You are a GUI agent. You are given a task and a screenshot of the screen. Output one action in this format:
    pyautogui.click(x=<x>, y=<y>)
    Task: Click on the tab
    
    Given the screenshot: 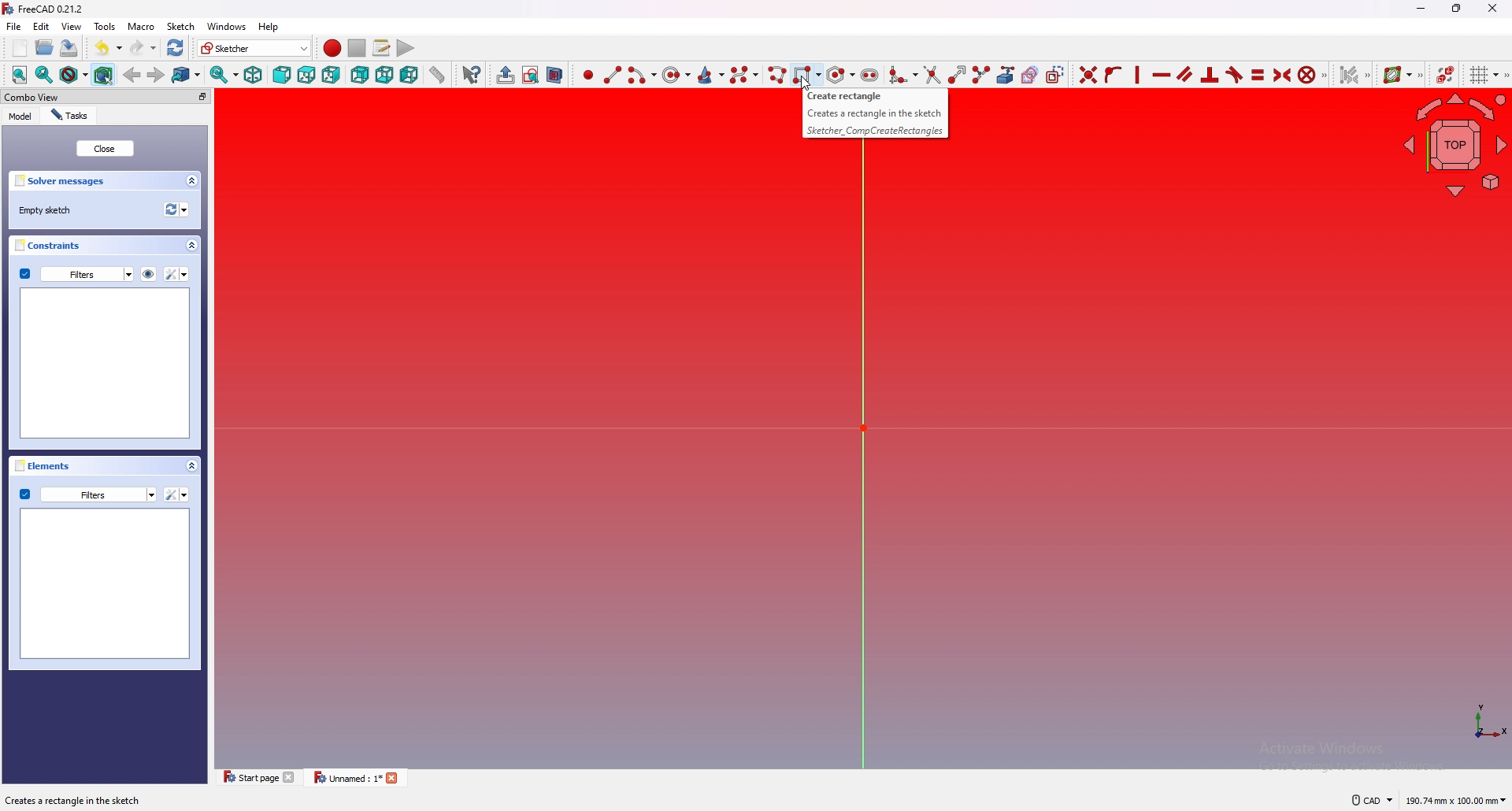 What is the action you would take?
    pyautogui.click(x=260, y=777)
    